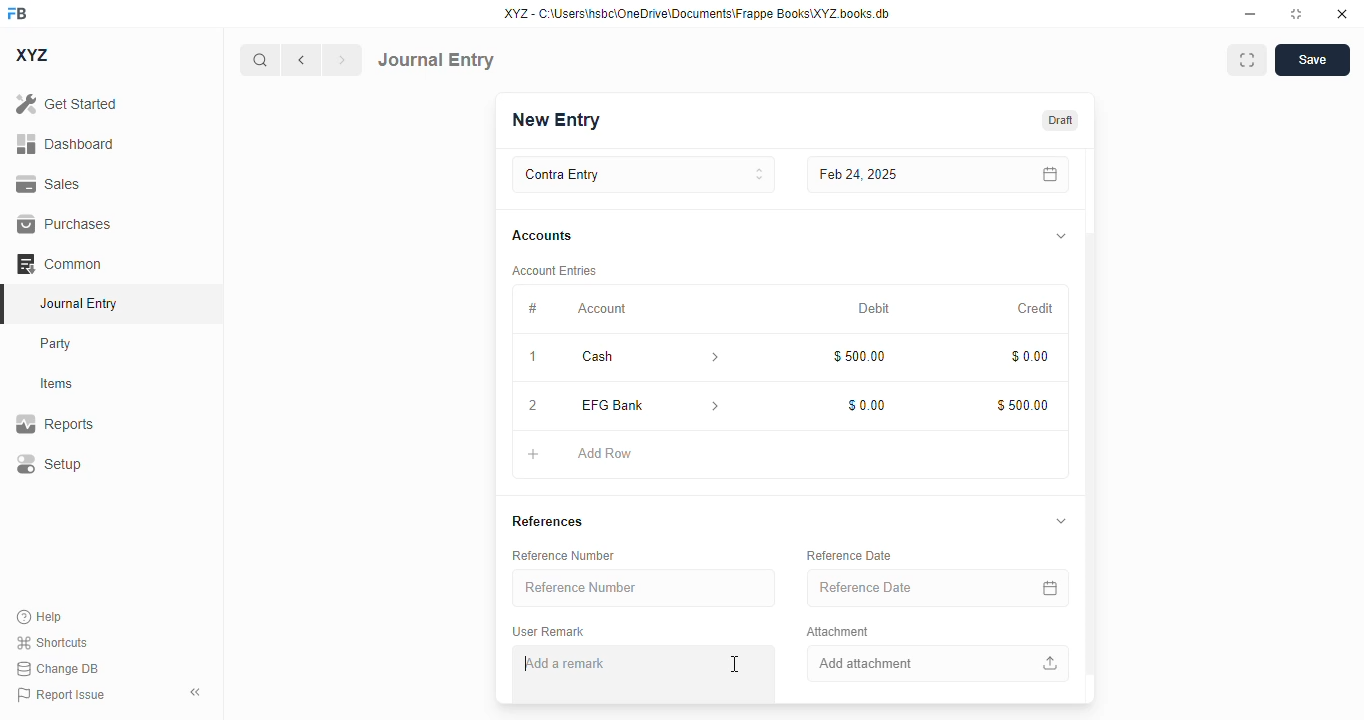 This screenshot has width=1364, height=720. Describe the element at coordinates (17, 13) in the screenshot. I see `FB - logo` at that location.